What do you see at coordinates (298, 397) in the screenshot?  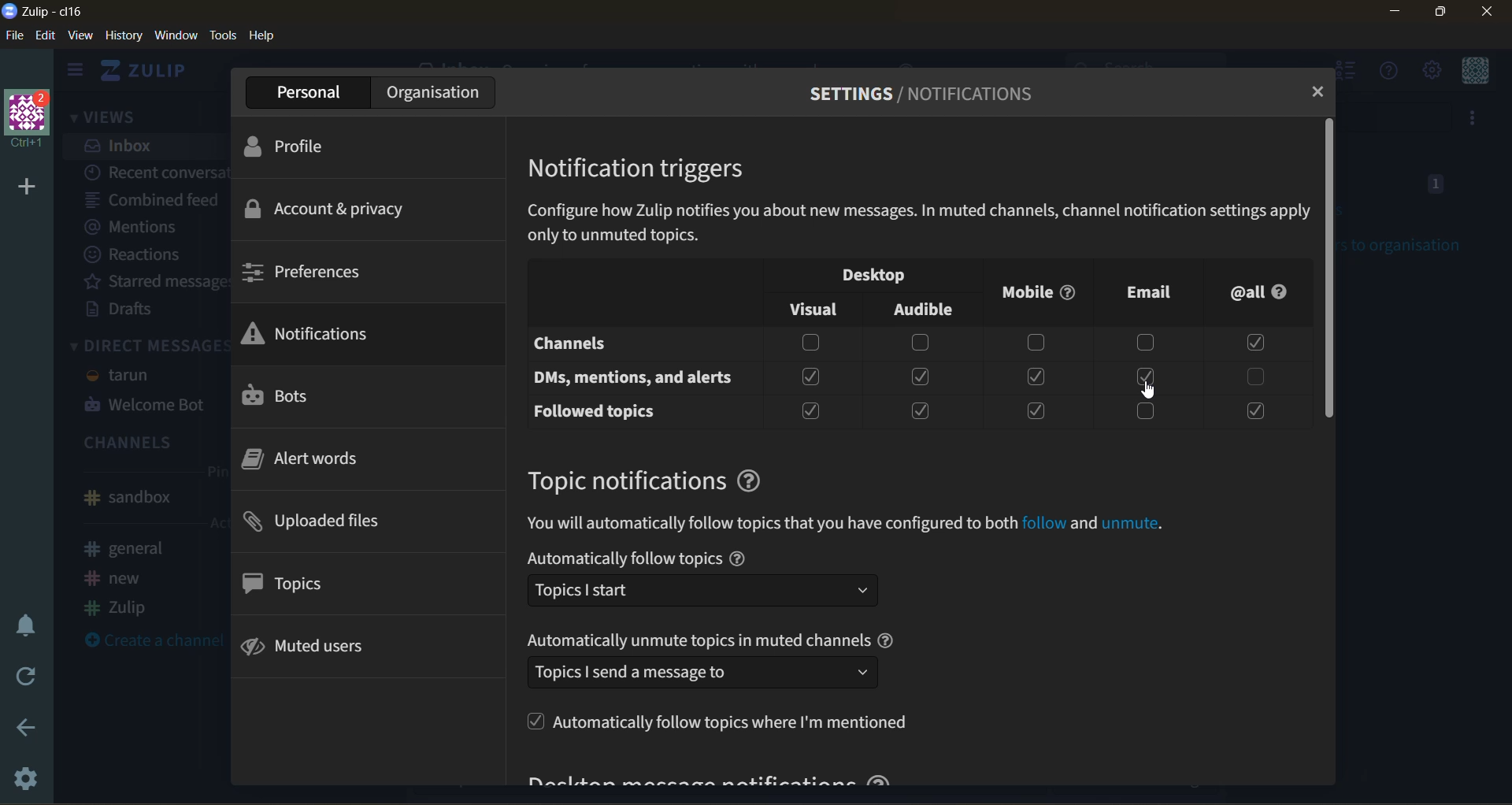 I see `bots` at bounding box center [298, 397].